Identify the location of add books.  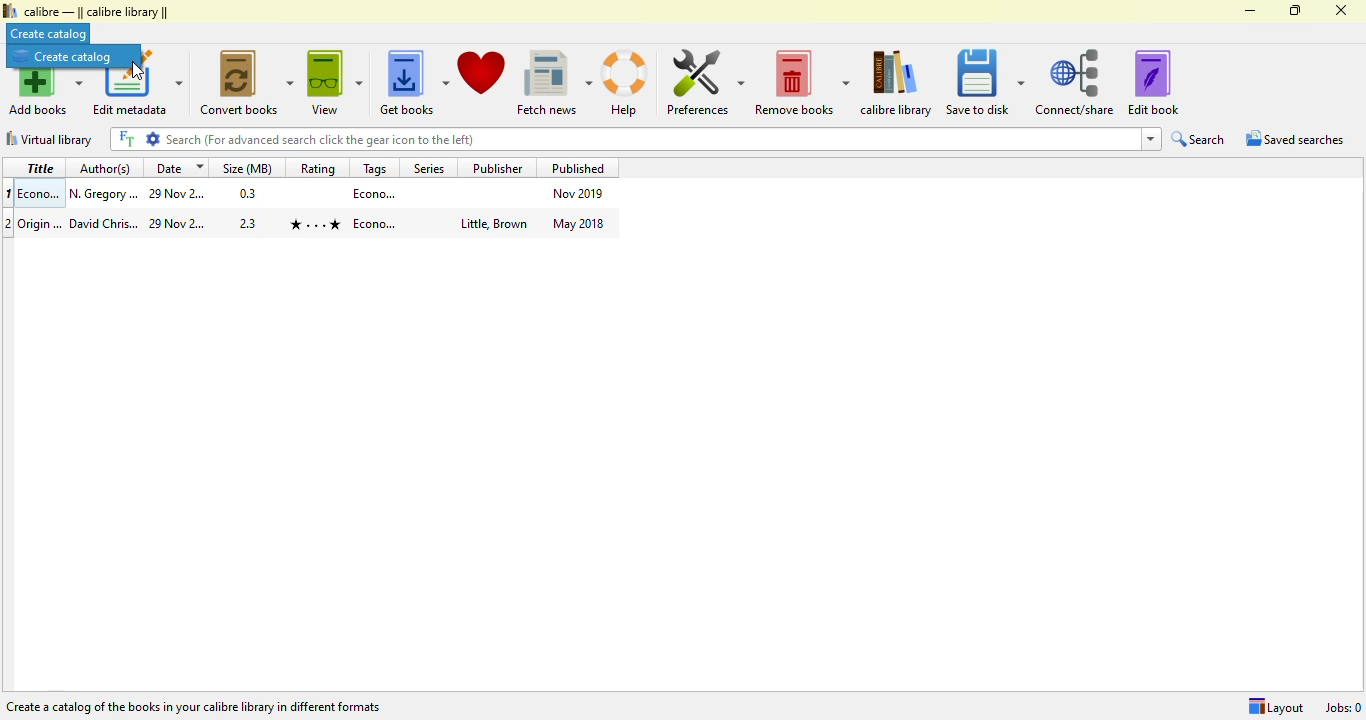
(44, 94).